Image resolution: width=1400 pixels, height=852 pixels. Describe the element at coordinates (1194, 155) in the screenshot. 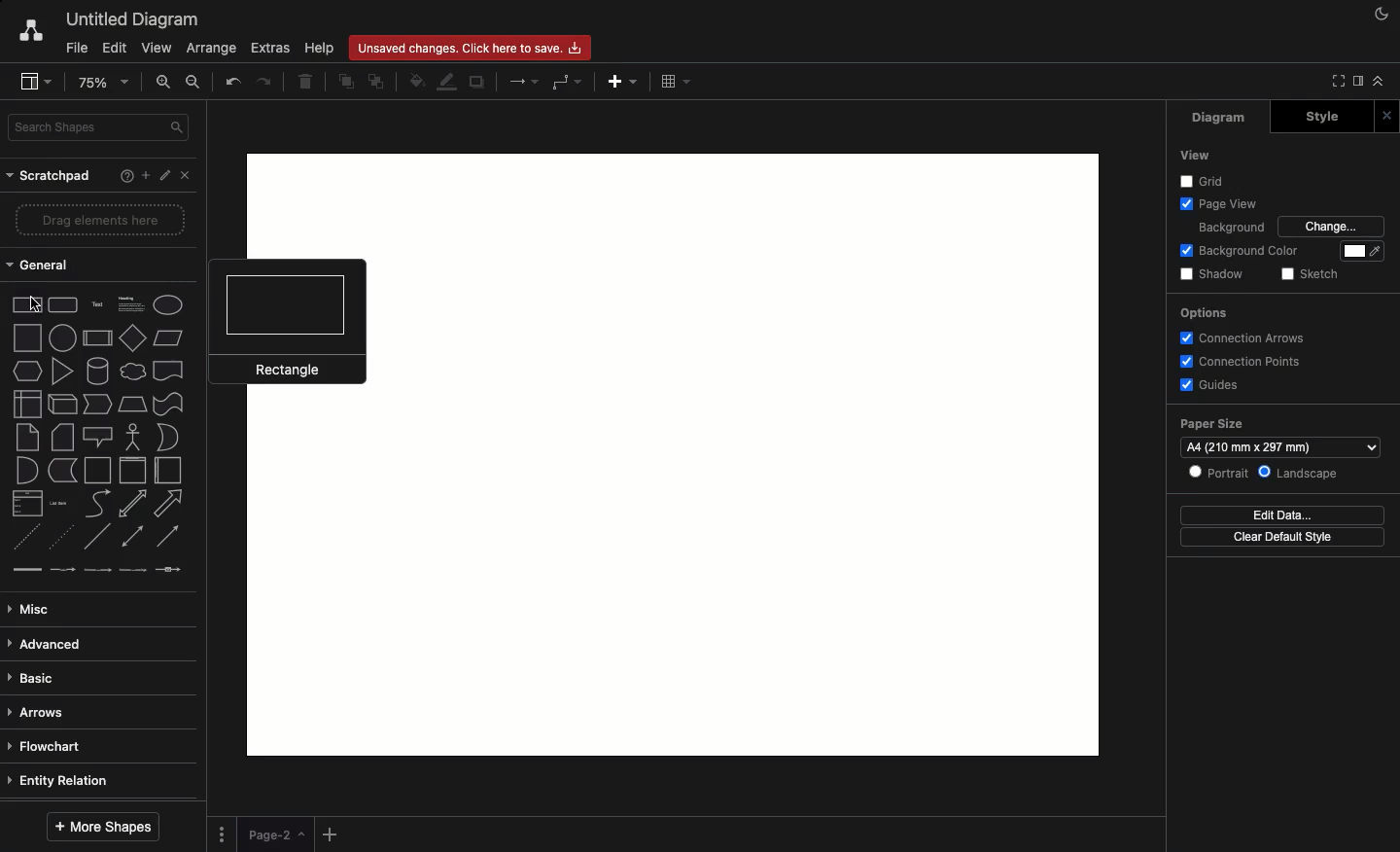

I see `View` at that location.